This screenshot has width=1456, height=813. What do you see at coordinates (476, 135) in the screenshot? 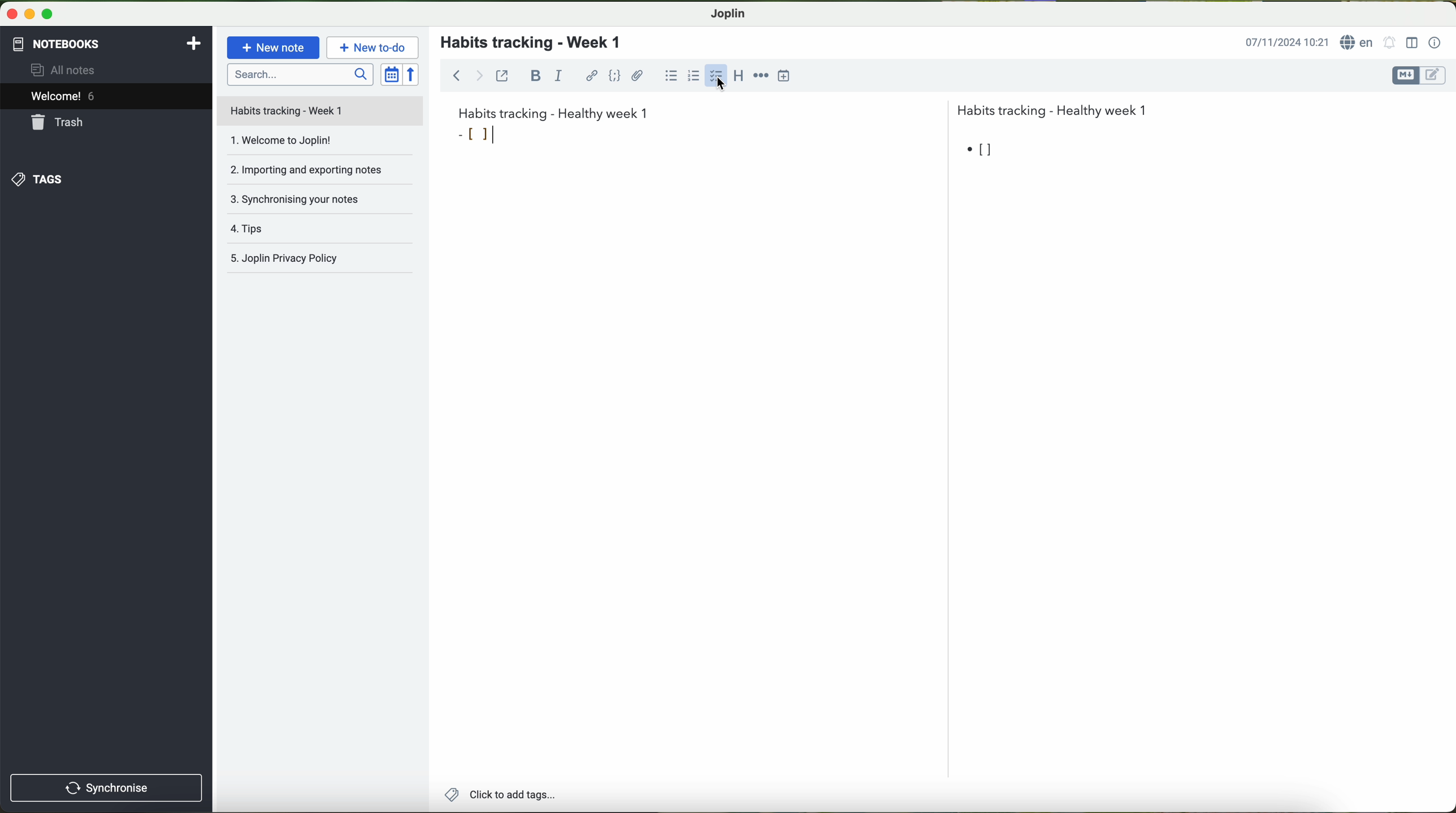
I see `bullet point` at bounding box center [476, 135].